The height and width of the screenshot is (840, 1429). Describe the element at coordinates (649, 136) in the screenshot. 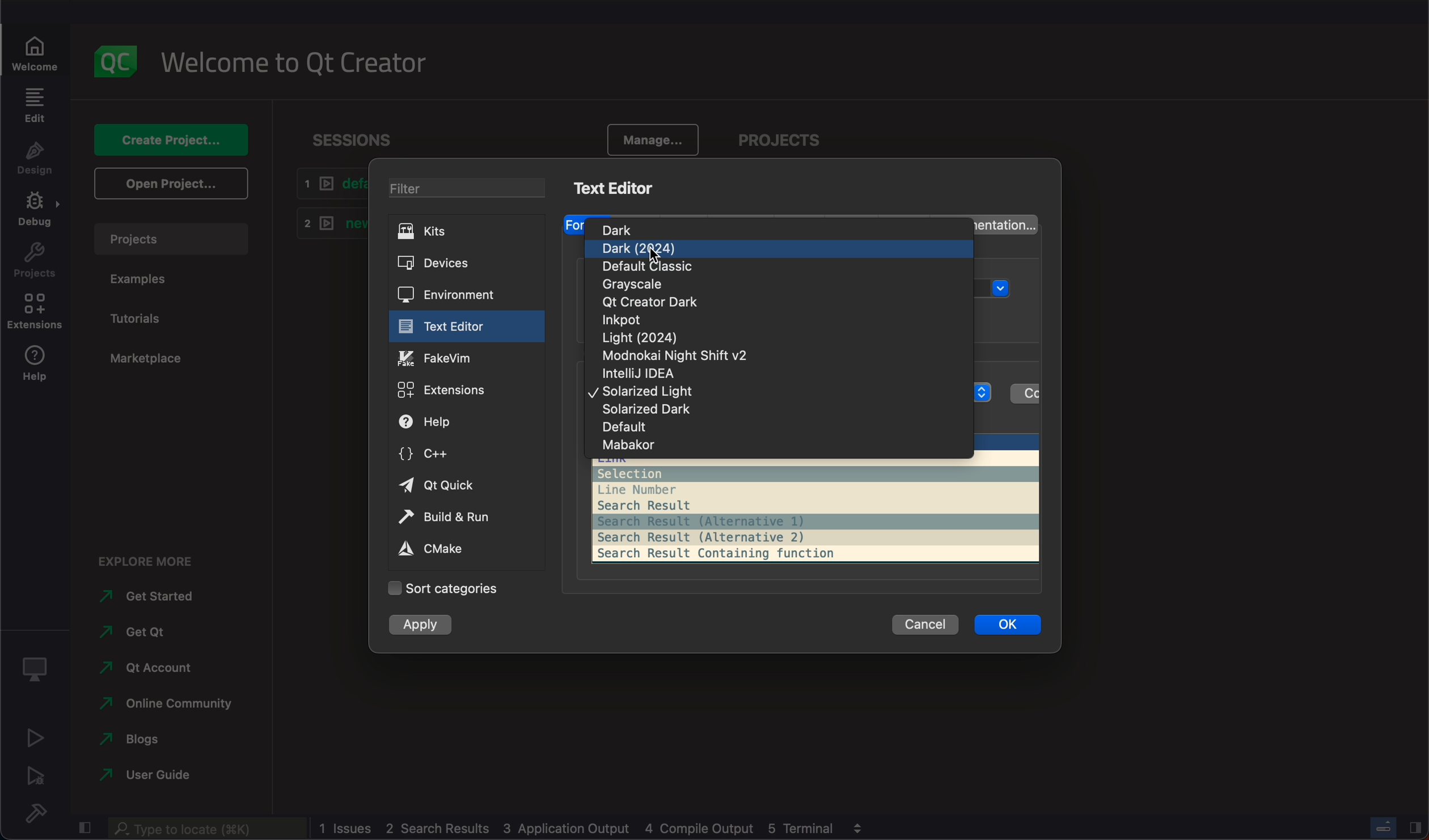

I see `manage` at that location.